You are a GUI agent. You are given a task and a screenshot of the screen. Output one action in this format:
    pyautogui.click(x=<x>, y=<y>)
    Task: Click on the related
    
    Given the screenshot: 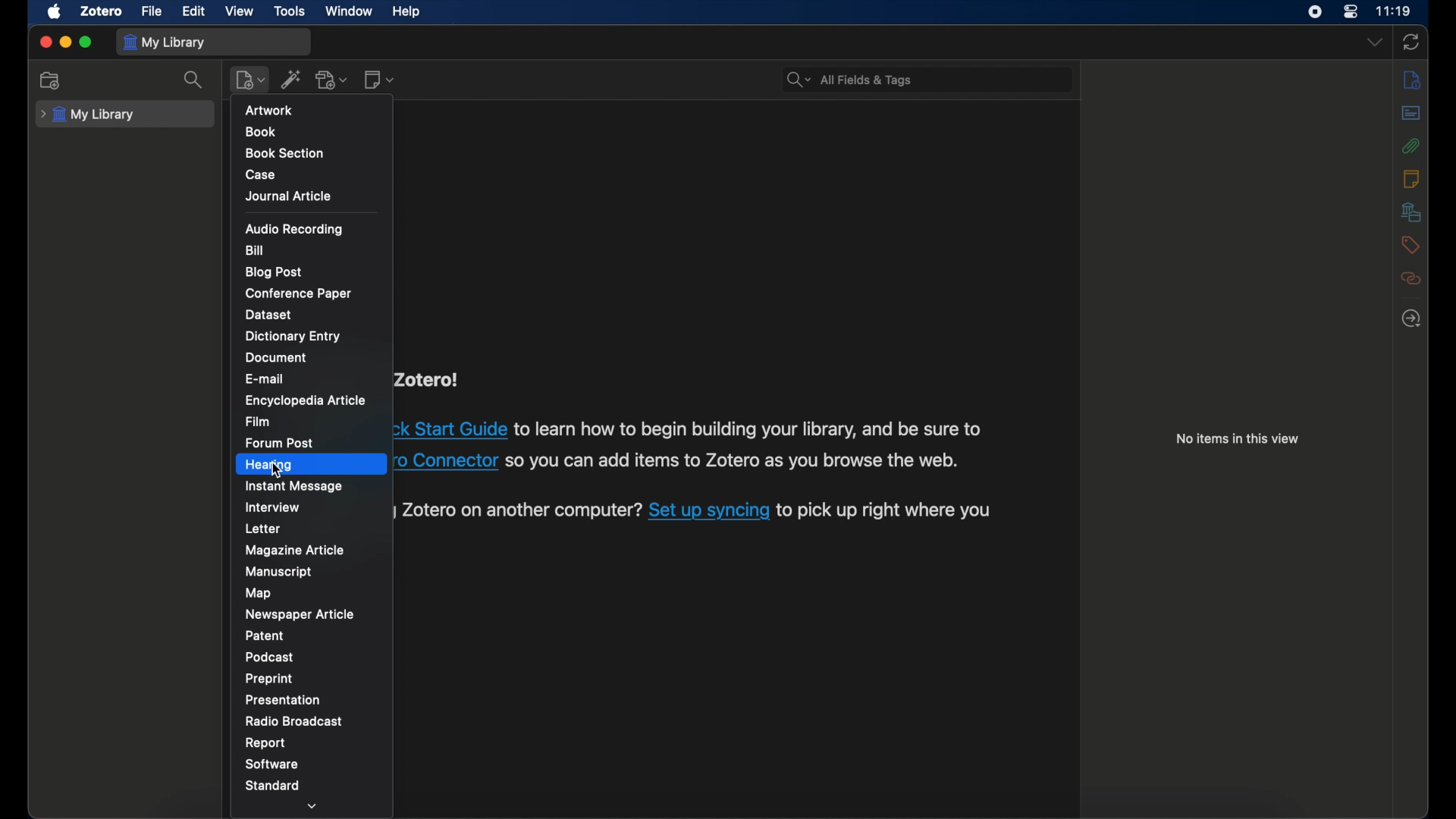 What is the action you would take?
    pyautogui.click(x=1410, y=278)
    